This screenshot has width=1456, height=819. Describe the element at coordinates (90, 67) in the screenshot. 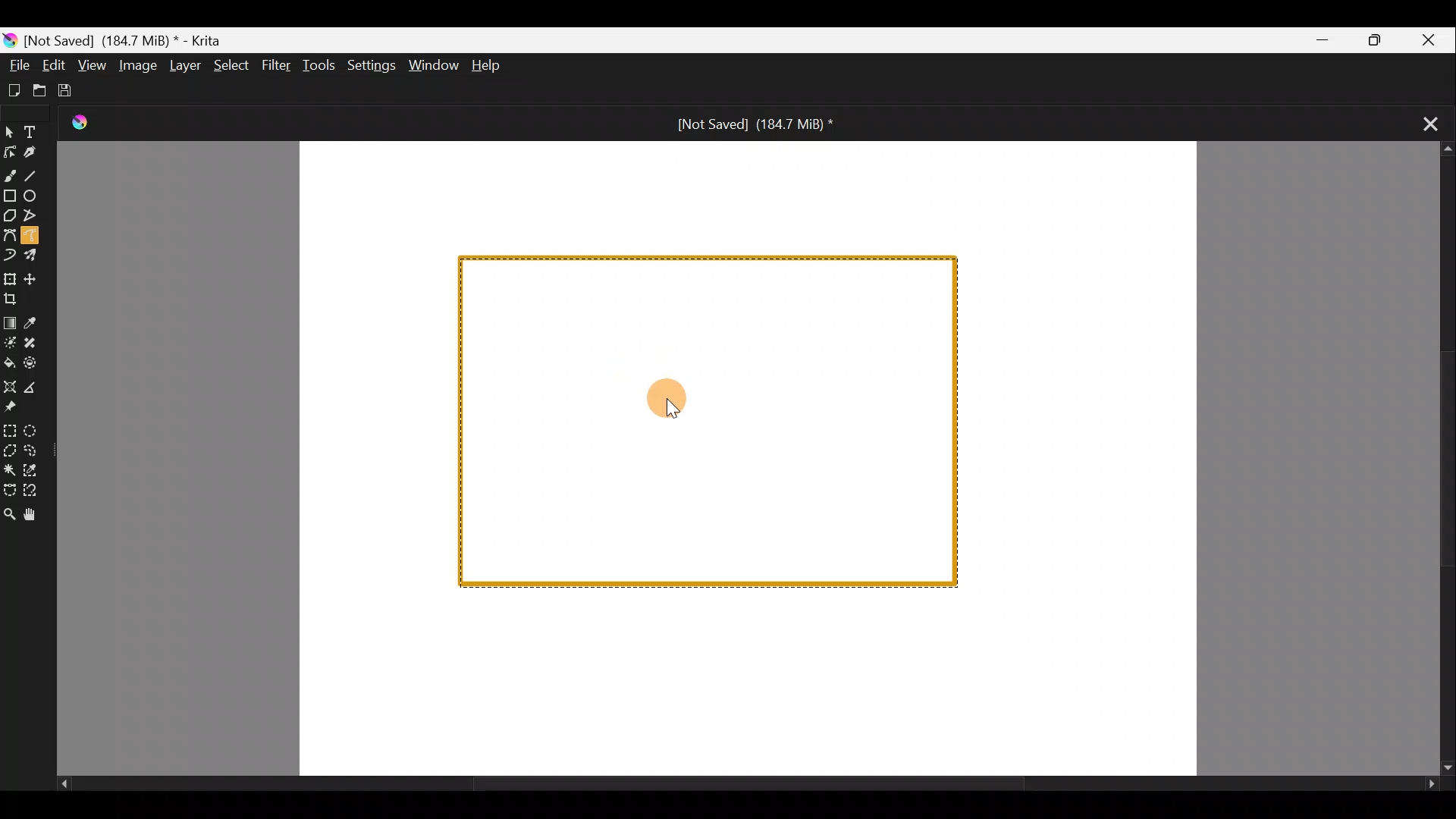

I see `View` at that location.